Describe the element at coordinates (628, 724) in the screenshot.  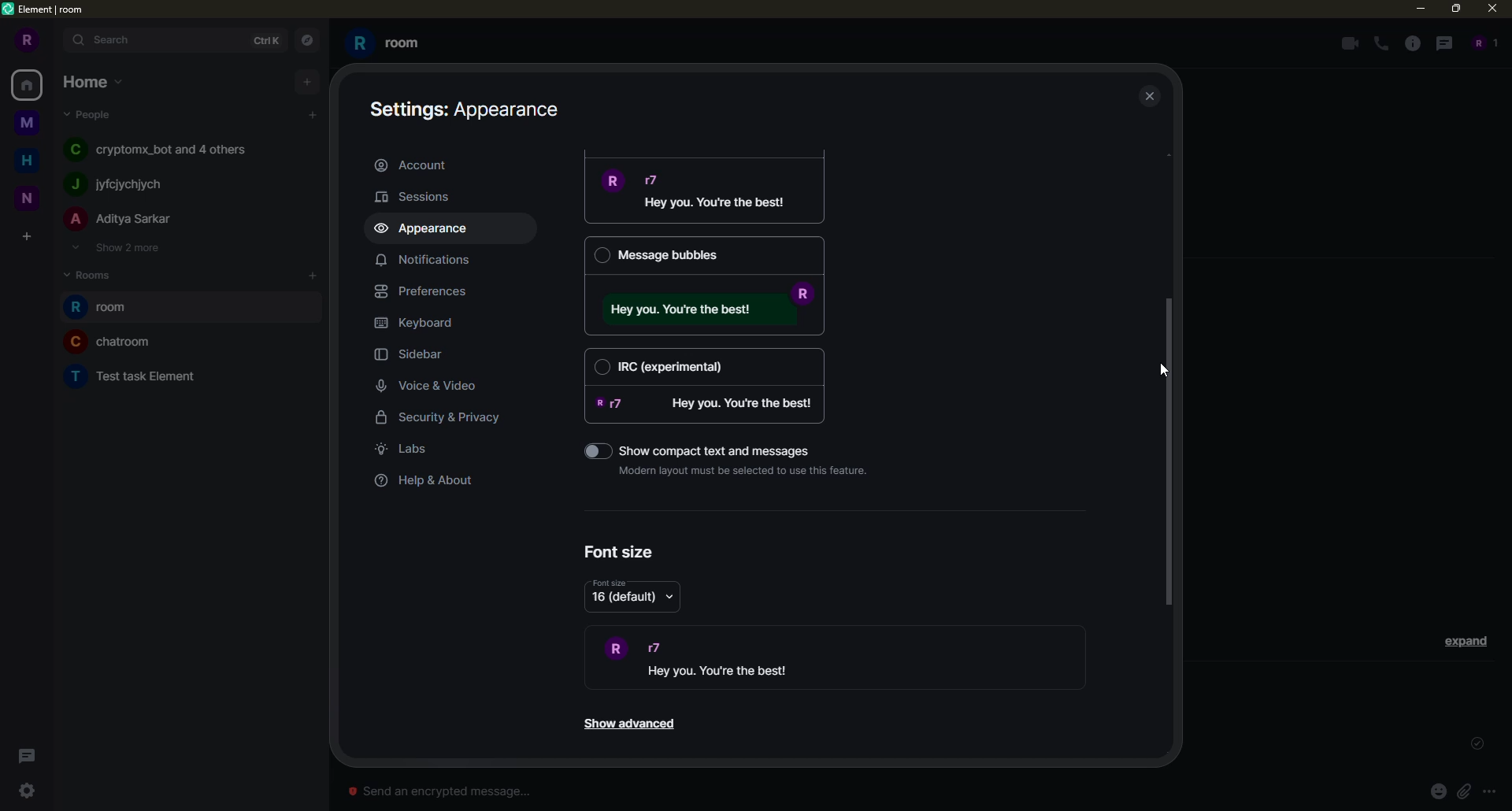
I see `show advanced` at that location.